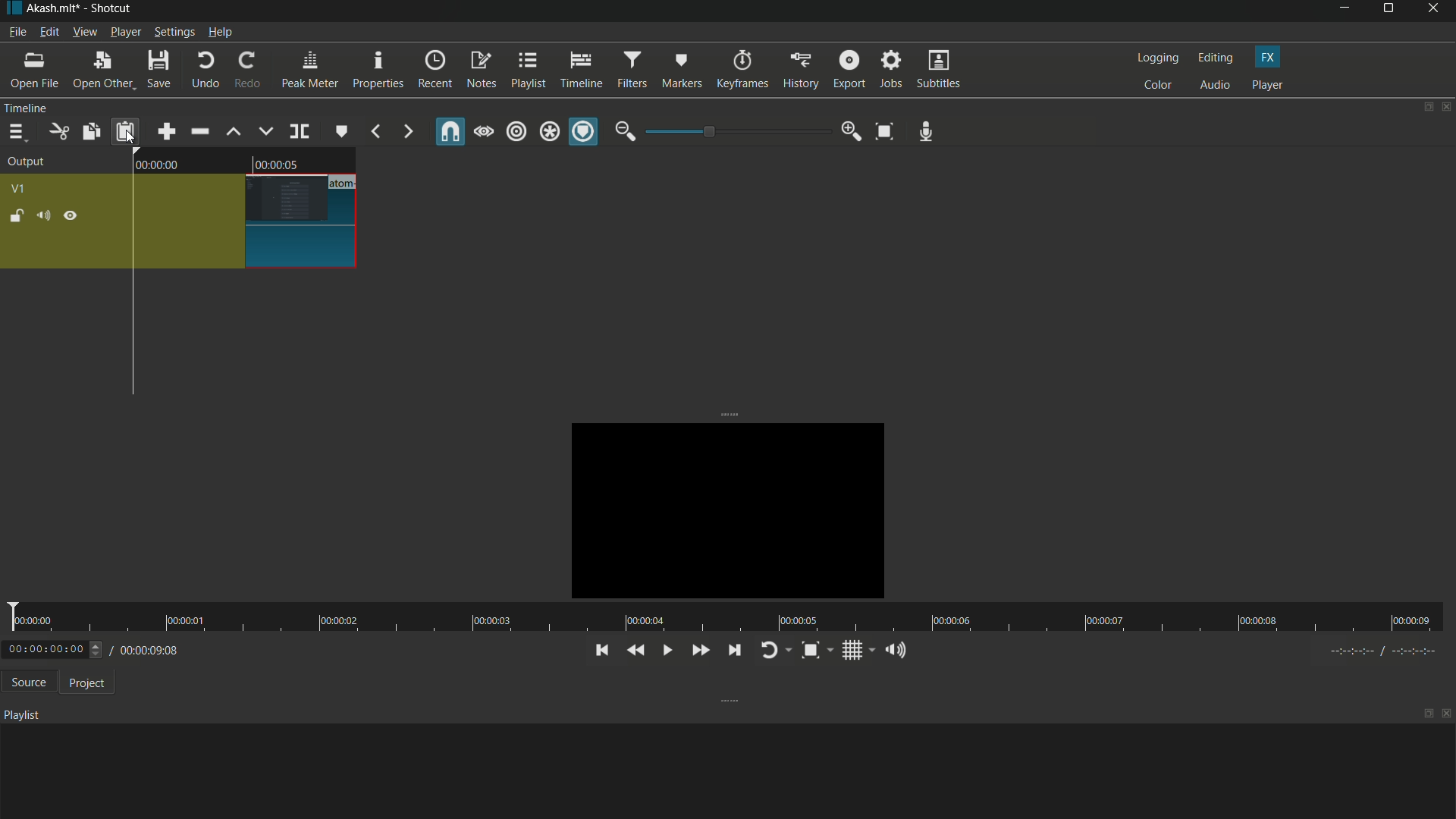 This screenshot has height=819, width=1456. What do you see at coordinates (11, 9) in the screenshot?
I see `app icon` at bounding box center [11, 9].